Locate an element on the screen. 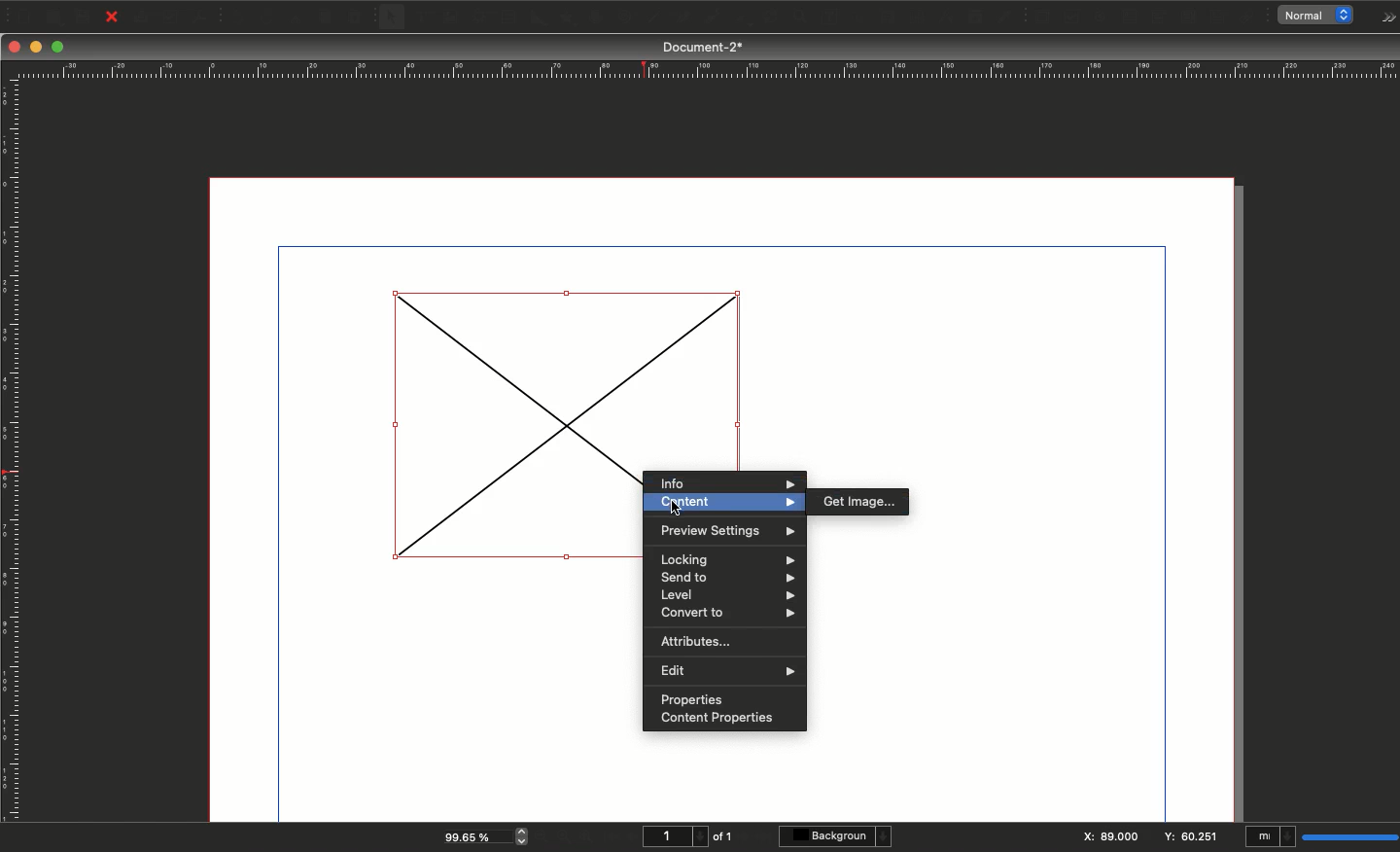  Level is located at coordinates (726, 595).